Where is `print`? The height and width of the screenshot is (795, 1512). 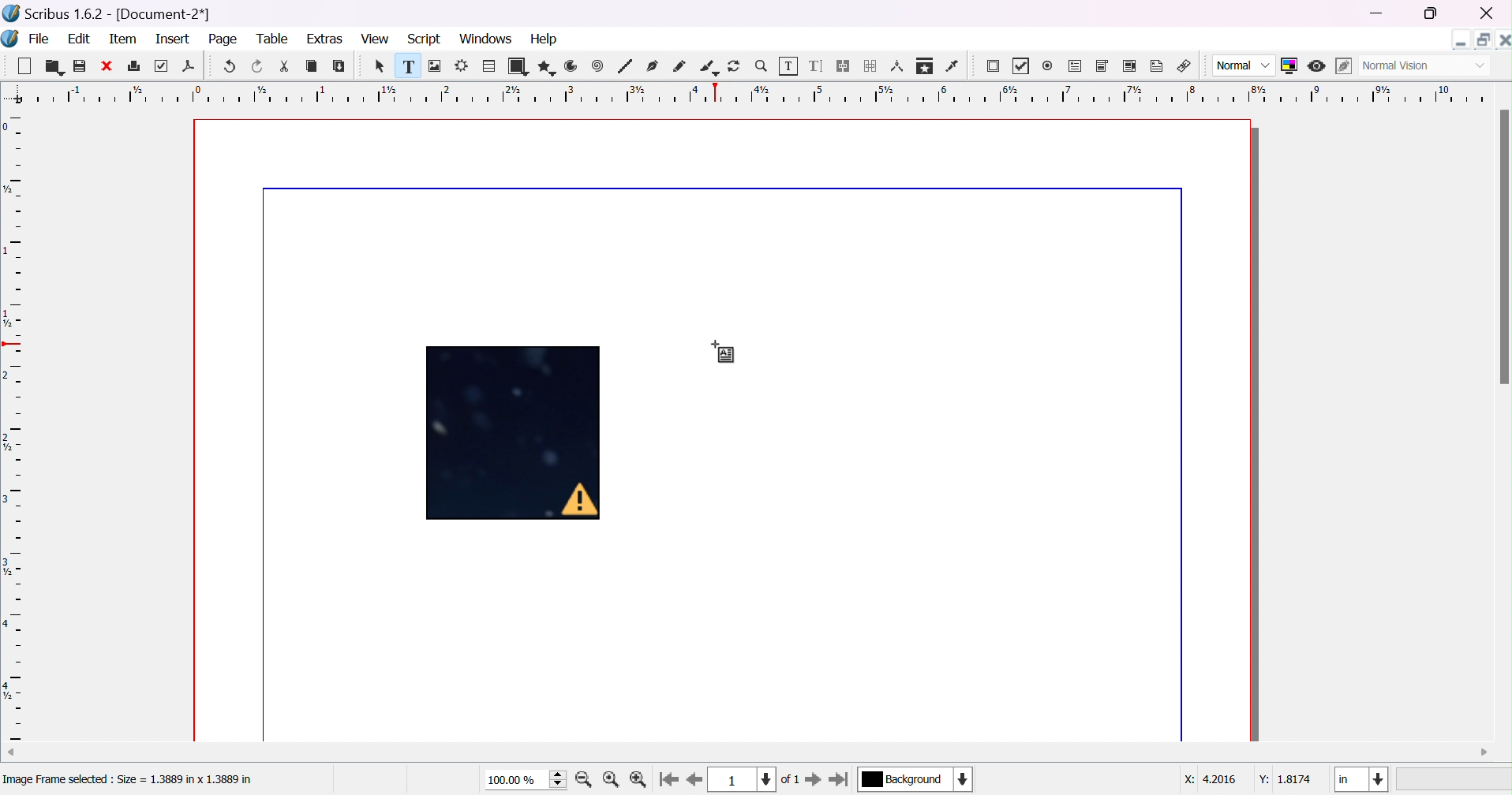 print is located at coordinates (133, 65).